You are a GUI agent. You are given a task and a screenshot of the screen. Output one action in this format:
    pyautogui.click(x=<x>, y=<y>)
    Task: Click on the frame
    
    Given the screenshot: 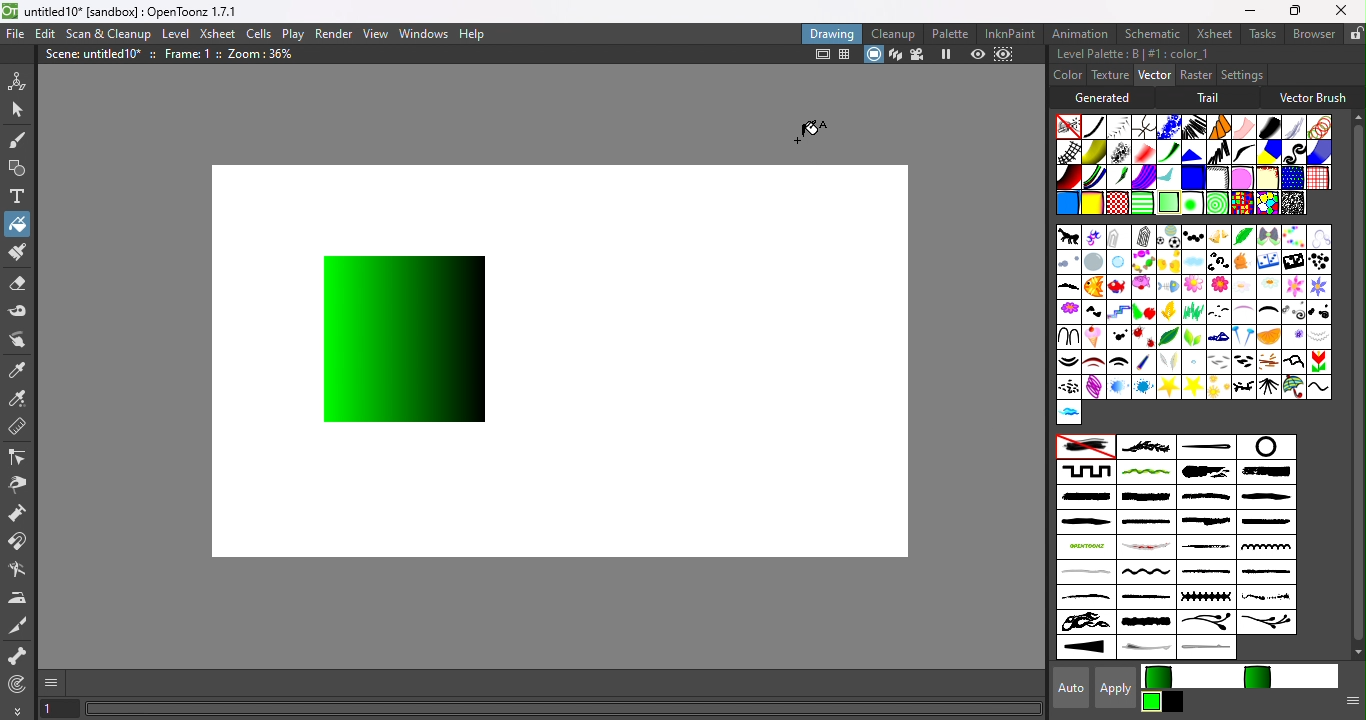 What is the action you would take?
    pyautogui.click(x=1118, y=312)
    